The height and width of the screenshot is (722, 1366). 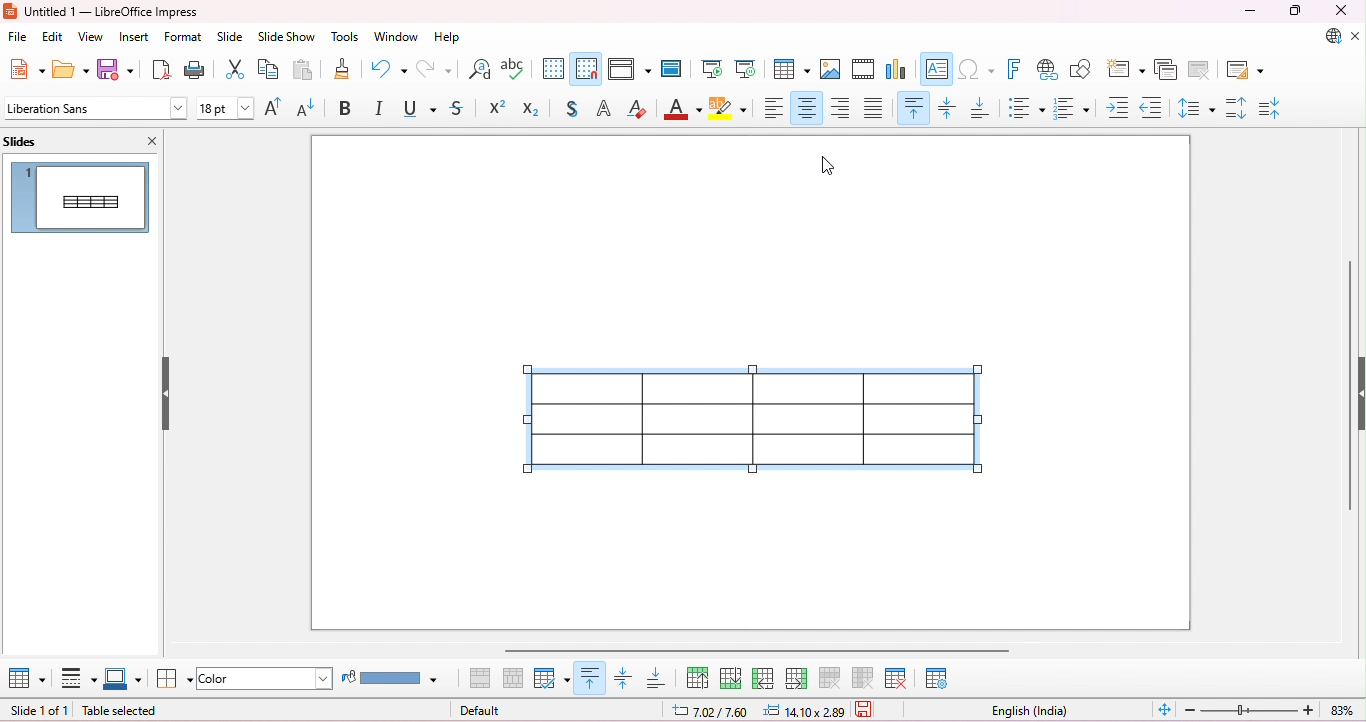 What do you see at coordinates (270, 71) in the screenshot?
I see `copy` at bounding box center [270, 71].